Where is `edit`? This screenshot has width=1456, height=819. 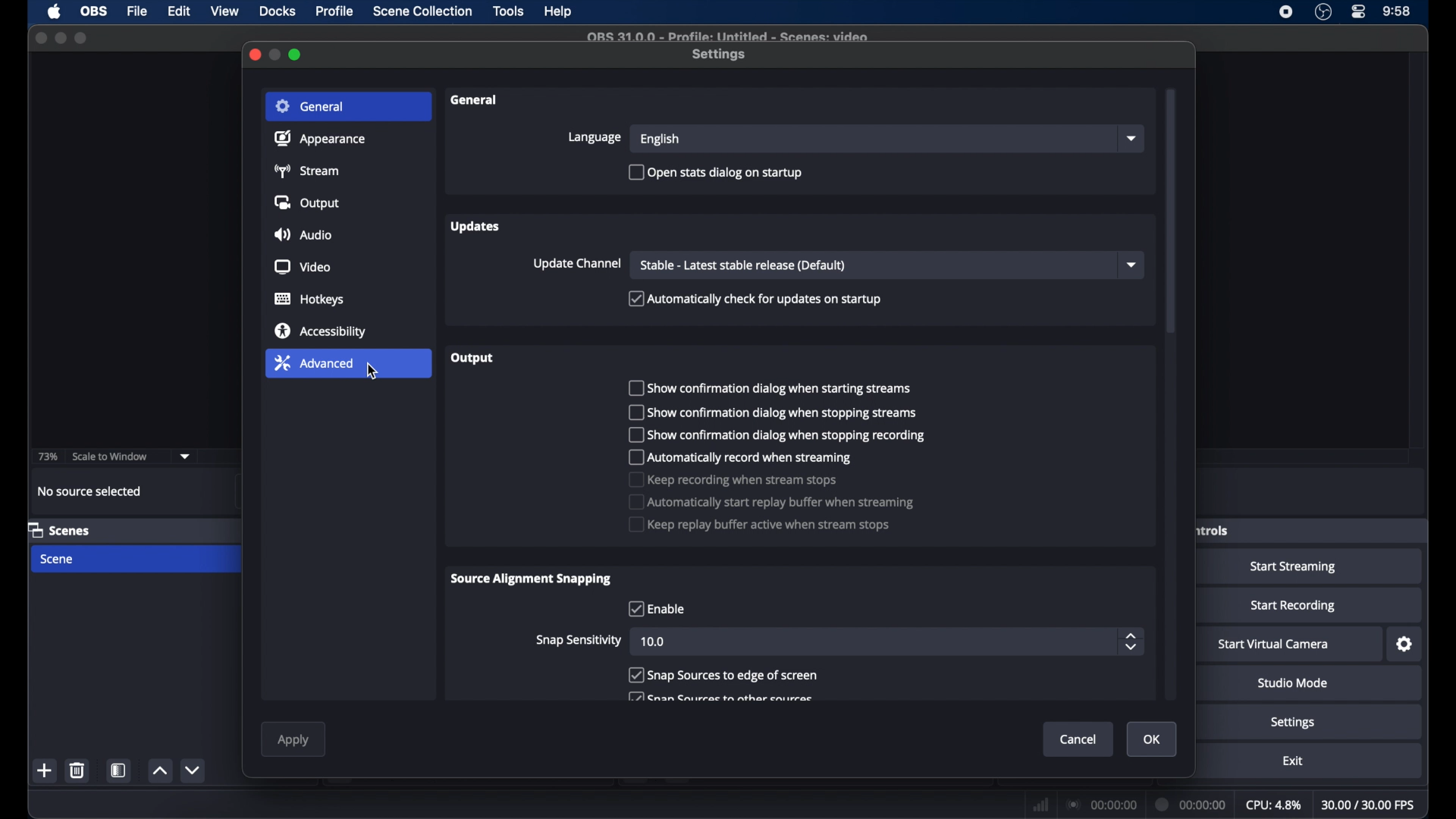
edit is located at coordinates (179, 12).